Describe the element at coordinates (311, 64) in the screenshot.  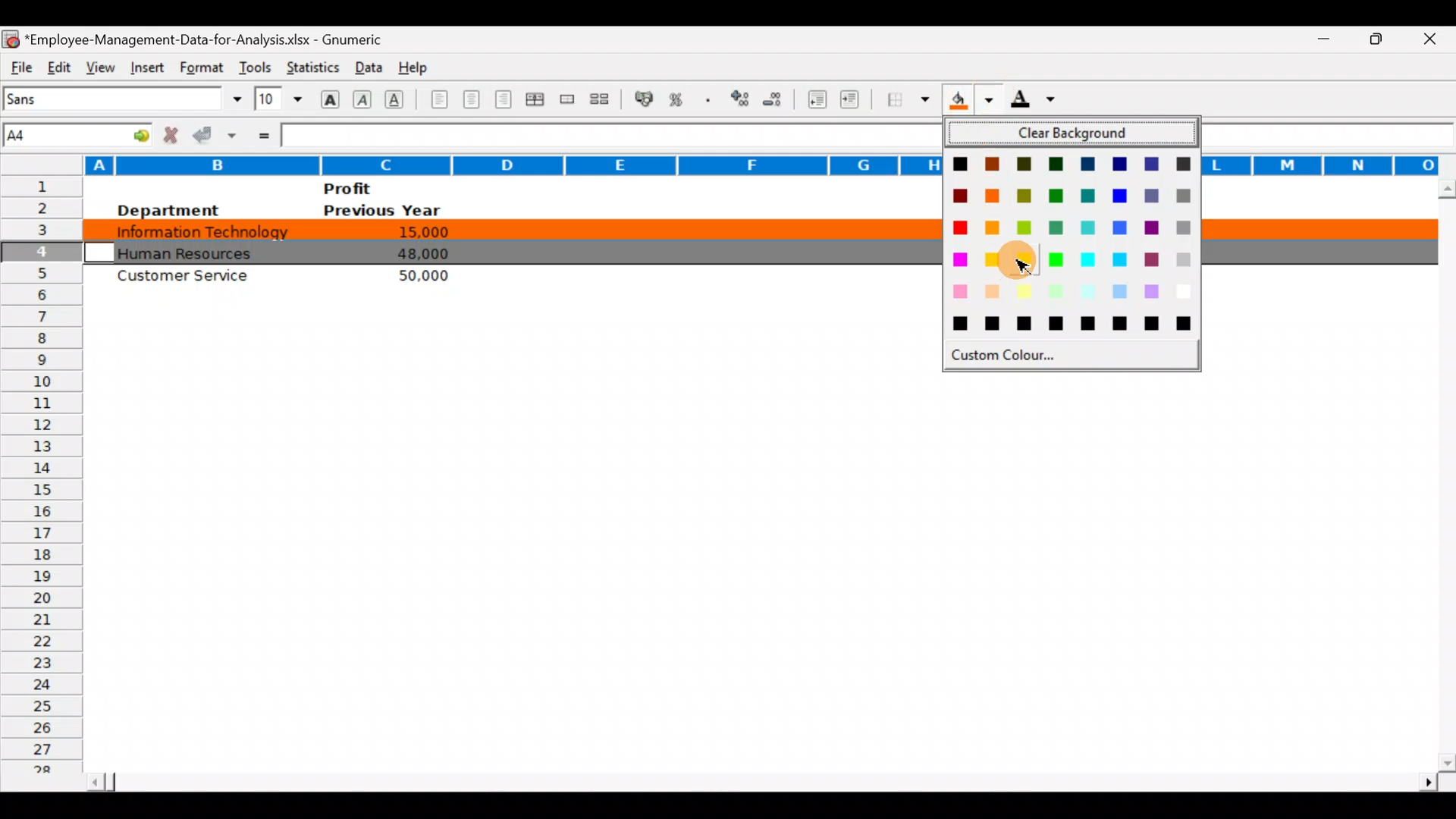
I see `Statistics` at that location.